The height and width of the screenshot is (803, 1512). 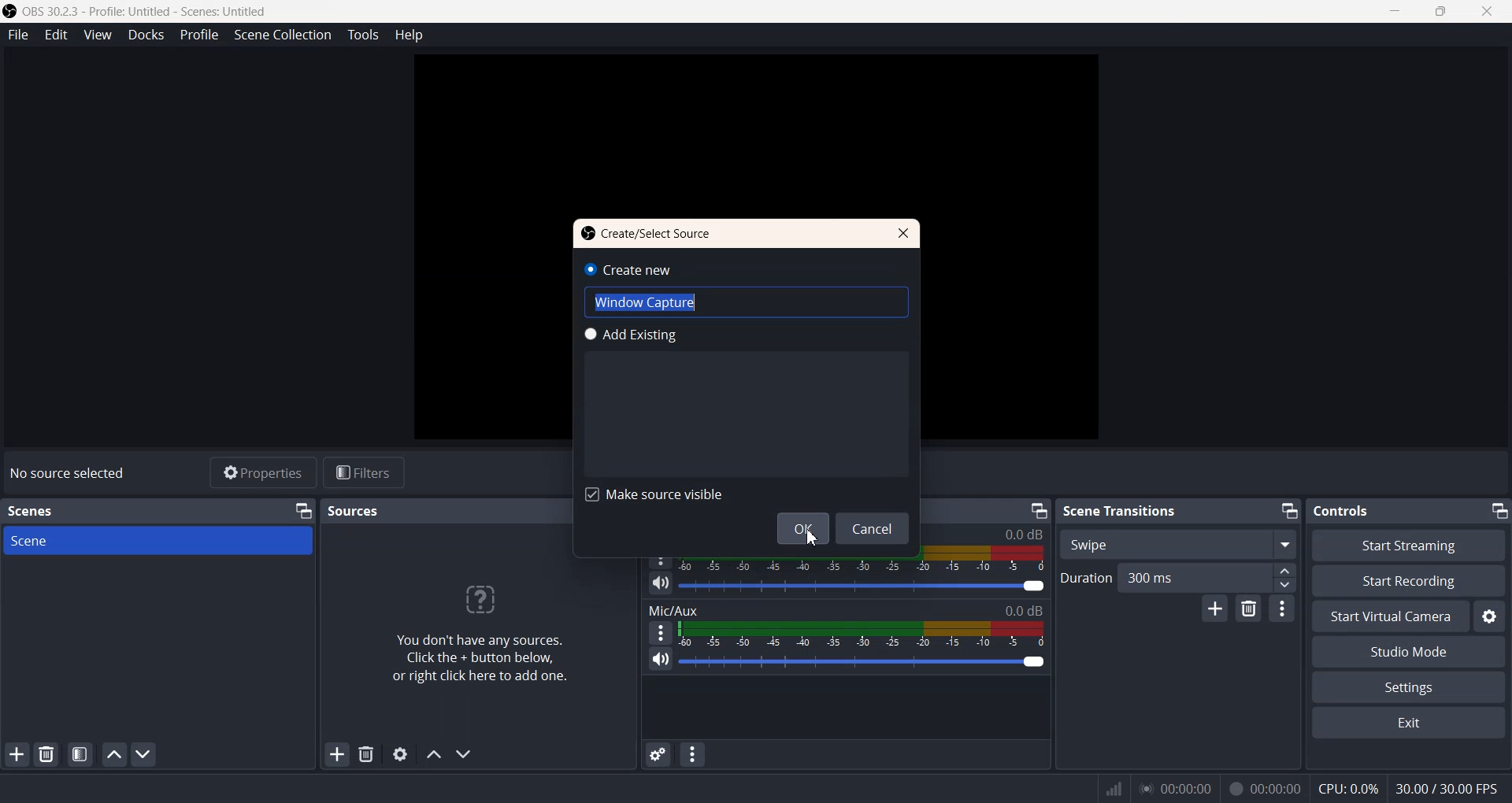 I want to click on Move scene Up, so click(x=113, y=754).